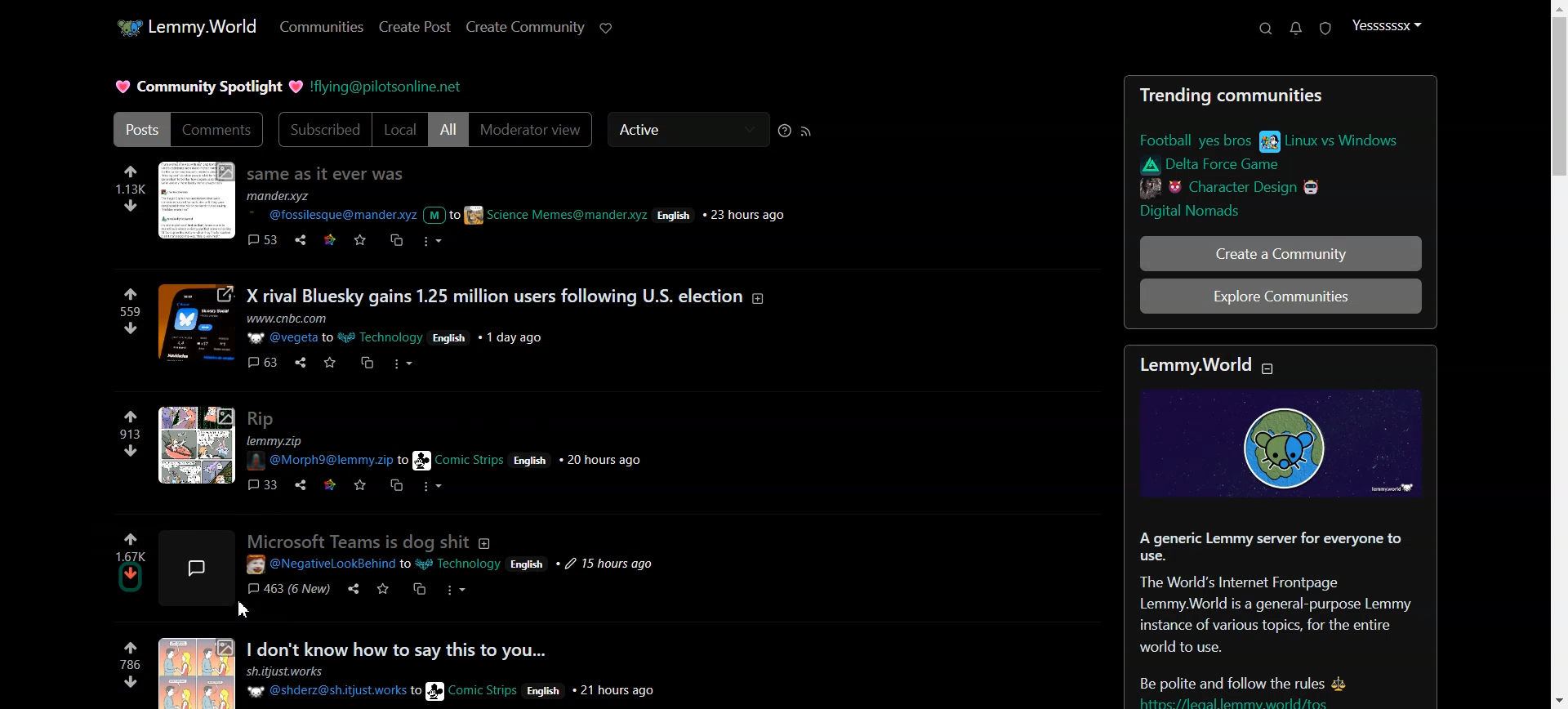 The width and height of the screenshot is (1568, 709). Describe the element at coordinates (262, 241) in the screenshot. I see `comments` at that location.